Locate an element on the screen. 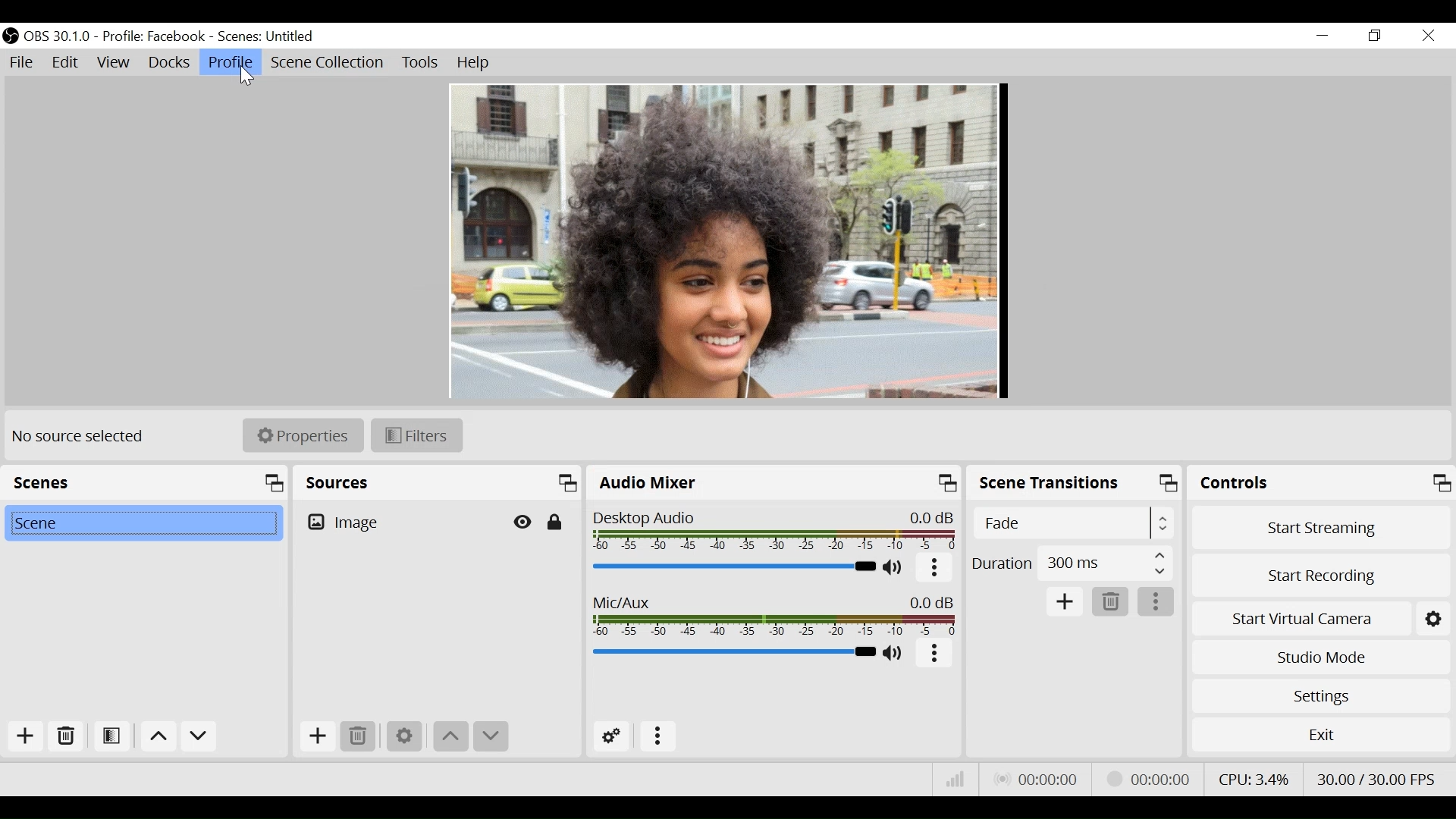 The image size is (1456, 819). View is located at coordinates (115, 63).